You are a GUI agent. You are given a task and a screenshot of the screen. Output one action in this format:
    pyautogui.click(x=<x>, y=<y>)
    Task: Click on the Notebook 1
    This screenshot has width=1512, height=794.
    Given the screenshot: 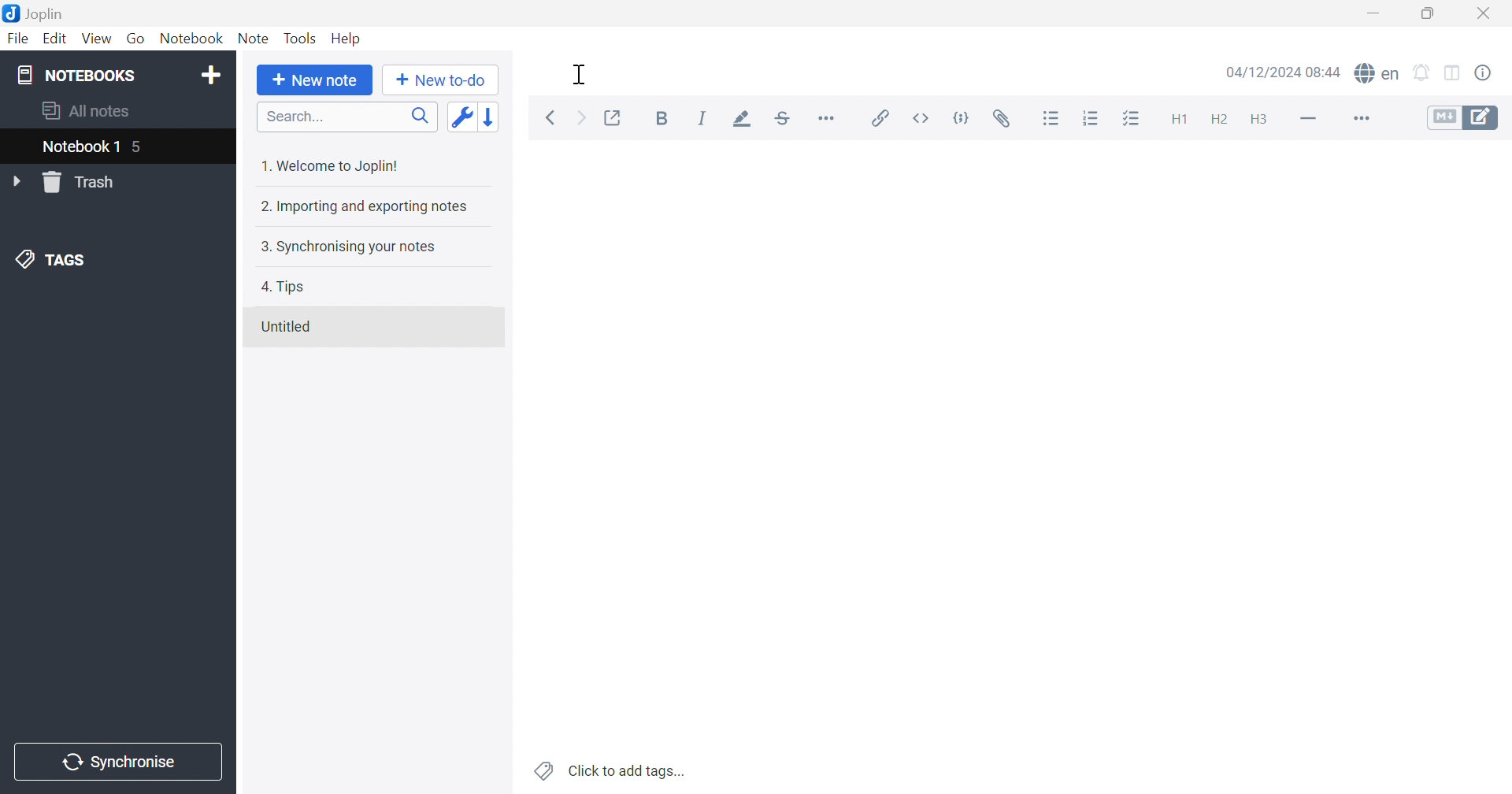 What is the action you would take?
    pyautogui.click(x=79, y=149)
    